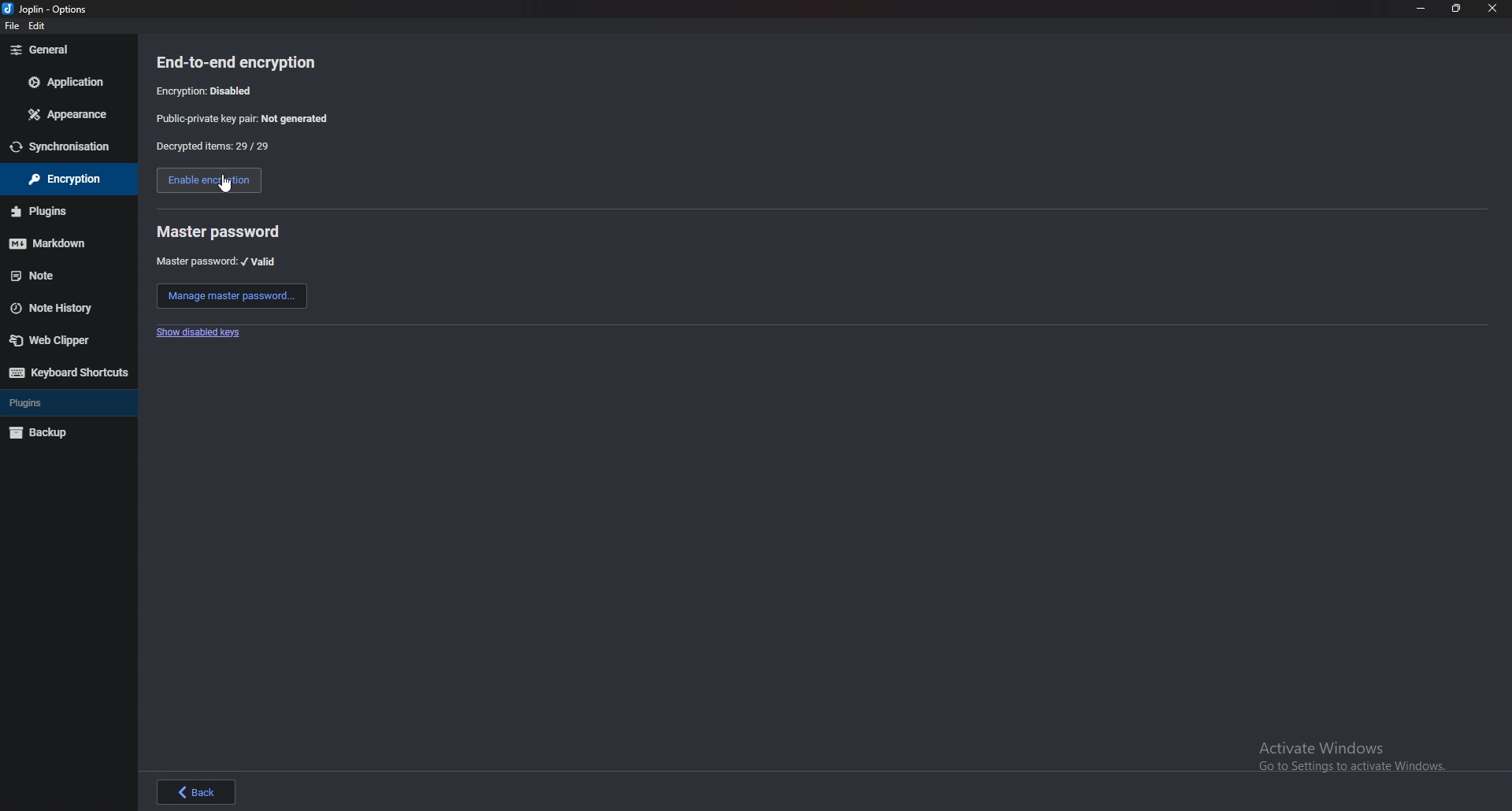 This screenshot has height=811, width=1512. Describe the element at coordinates (66, 81) in the screenshot. I see `` at that location.